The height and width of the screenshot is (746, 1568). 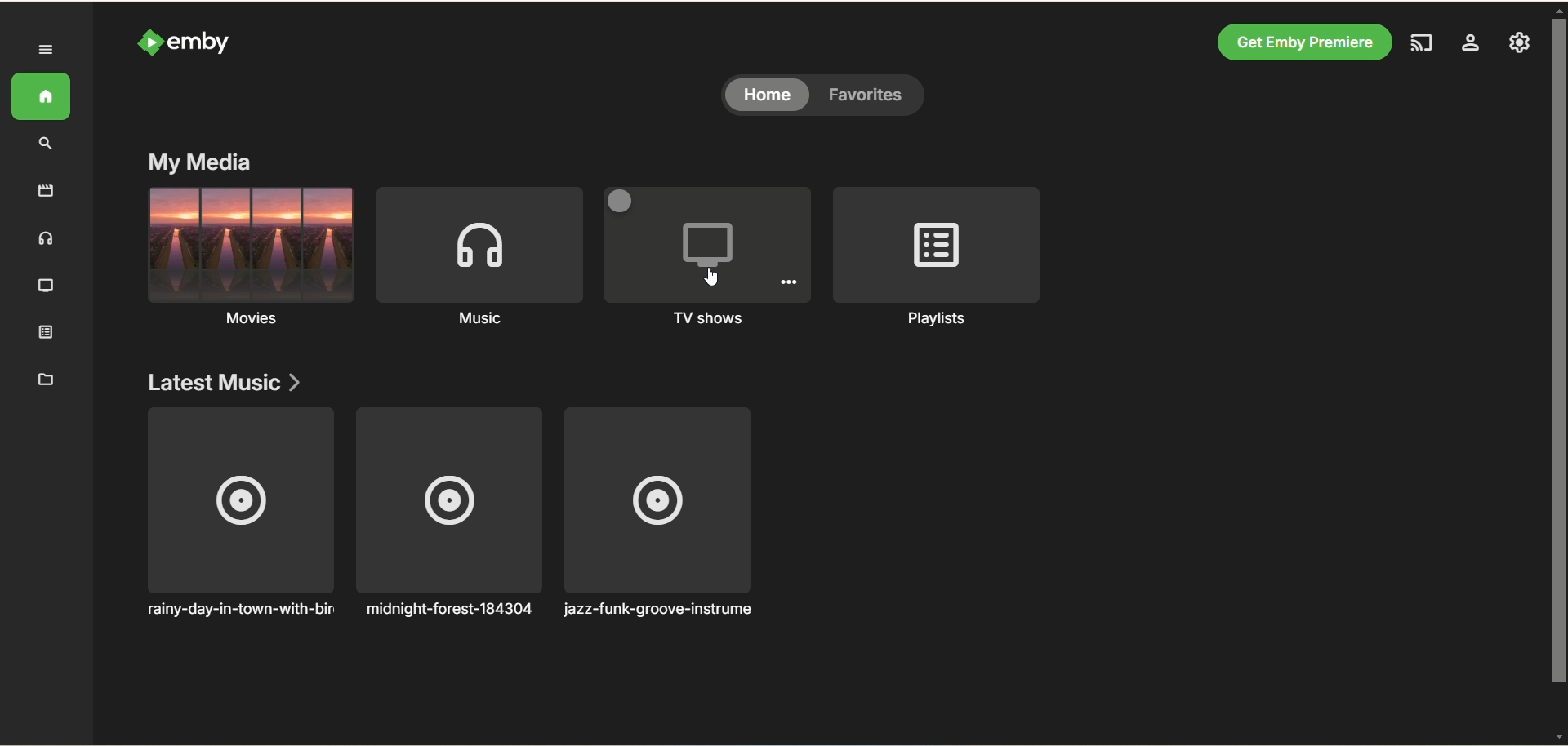 I want to click on rainy-day-in-town-with-bir, so click(x=237, y=517).